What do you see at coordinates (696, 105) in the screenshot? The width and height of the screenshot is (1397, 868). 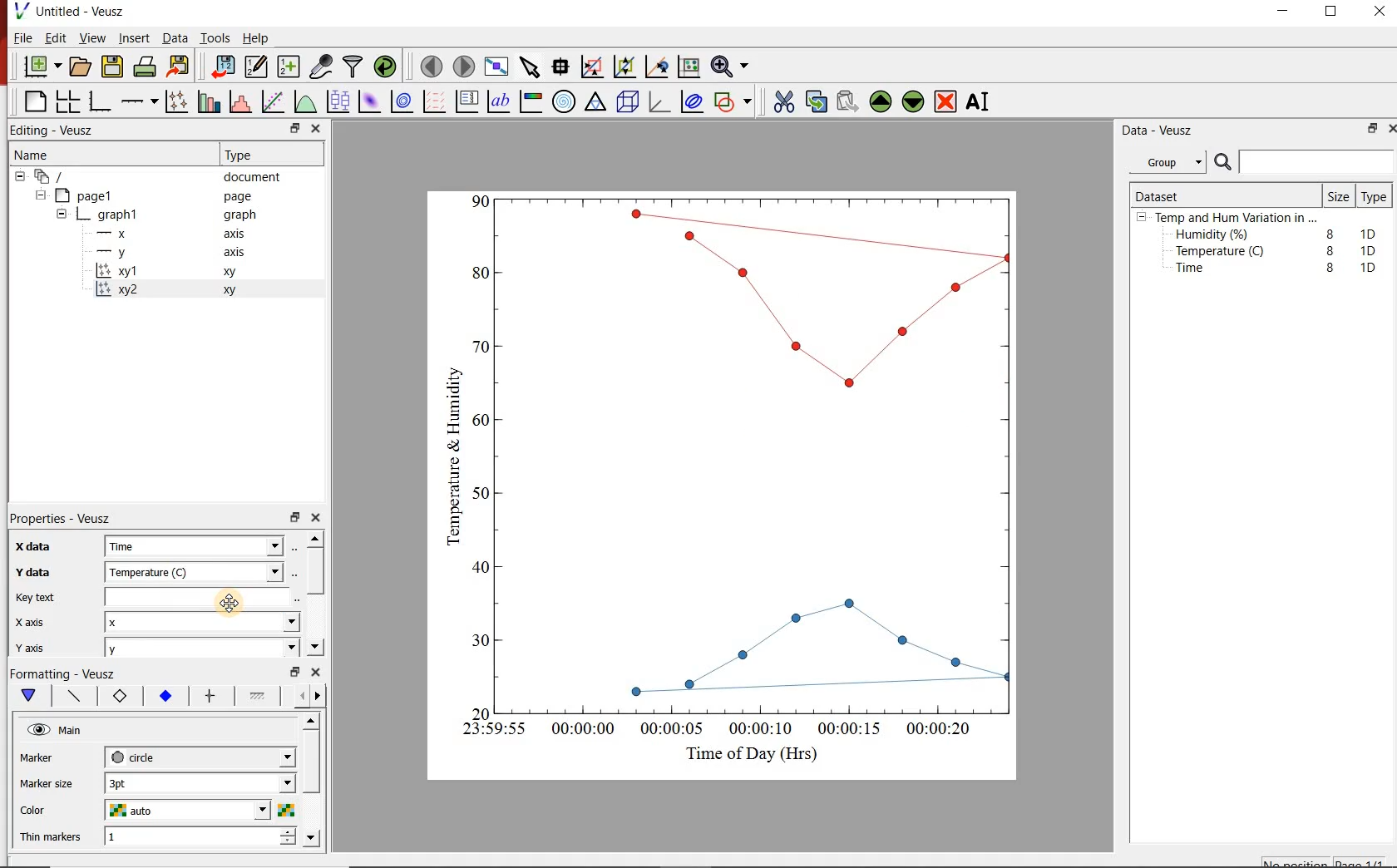 I see `plot covariance ellipses` at bounding box center [696, 105].